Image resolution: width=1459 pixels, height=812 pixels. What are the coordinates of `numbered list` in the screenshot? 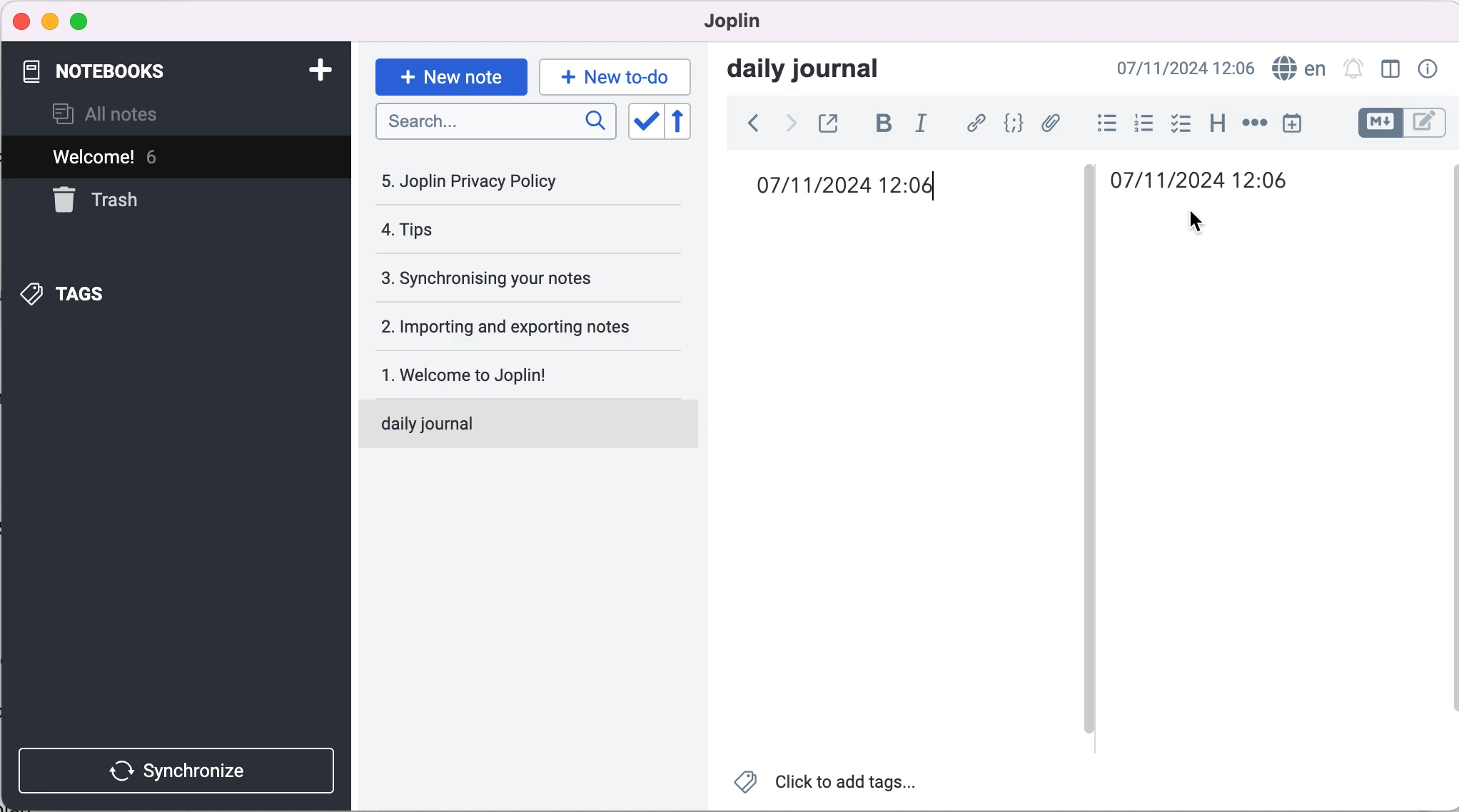 It's located at (1139, 123).